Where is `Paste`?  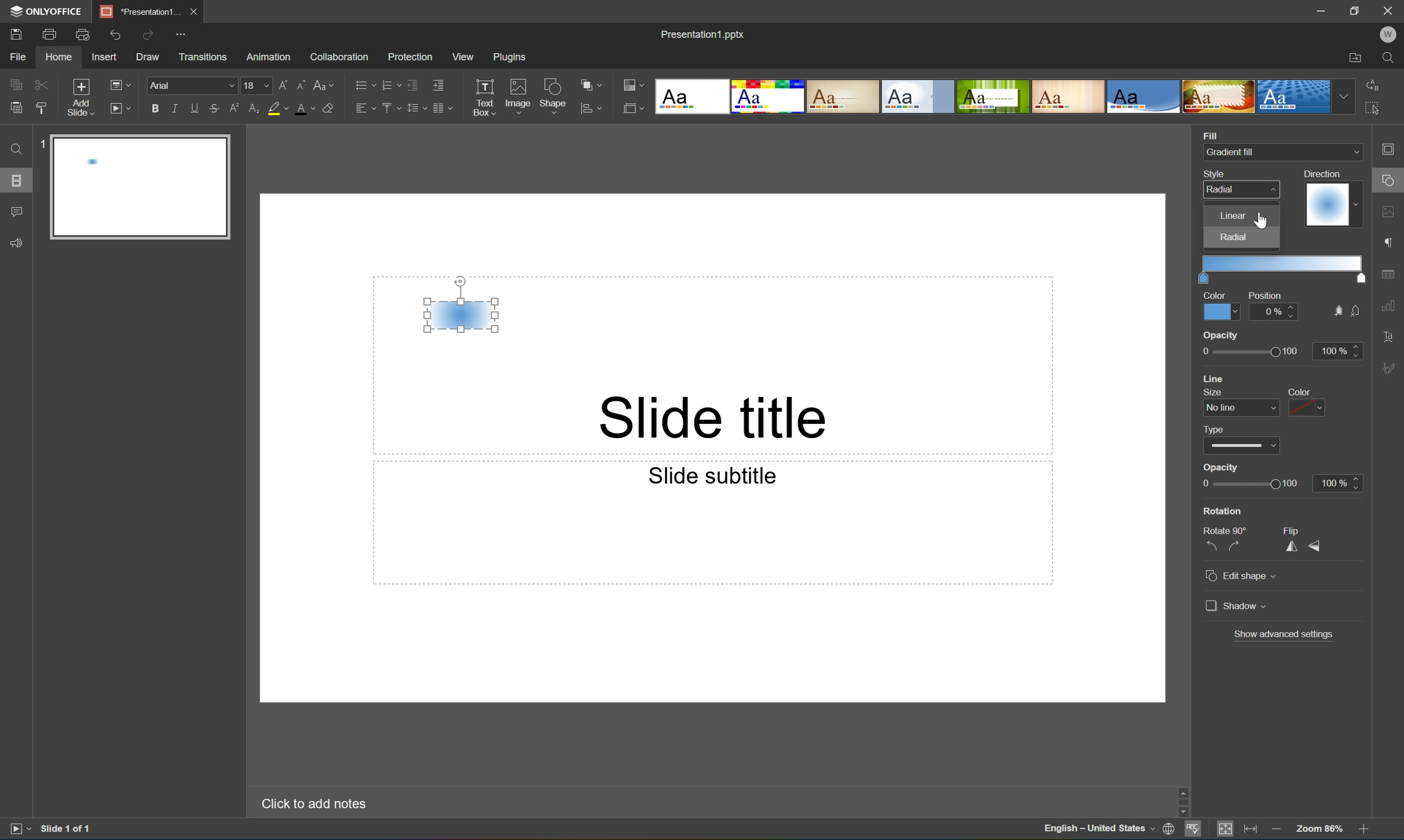 Paste is located at coordinates (13, 108).